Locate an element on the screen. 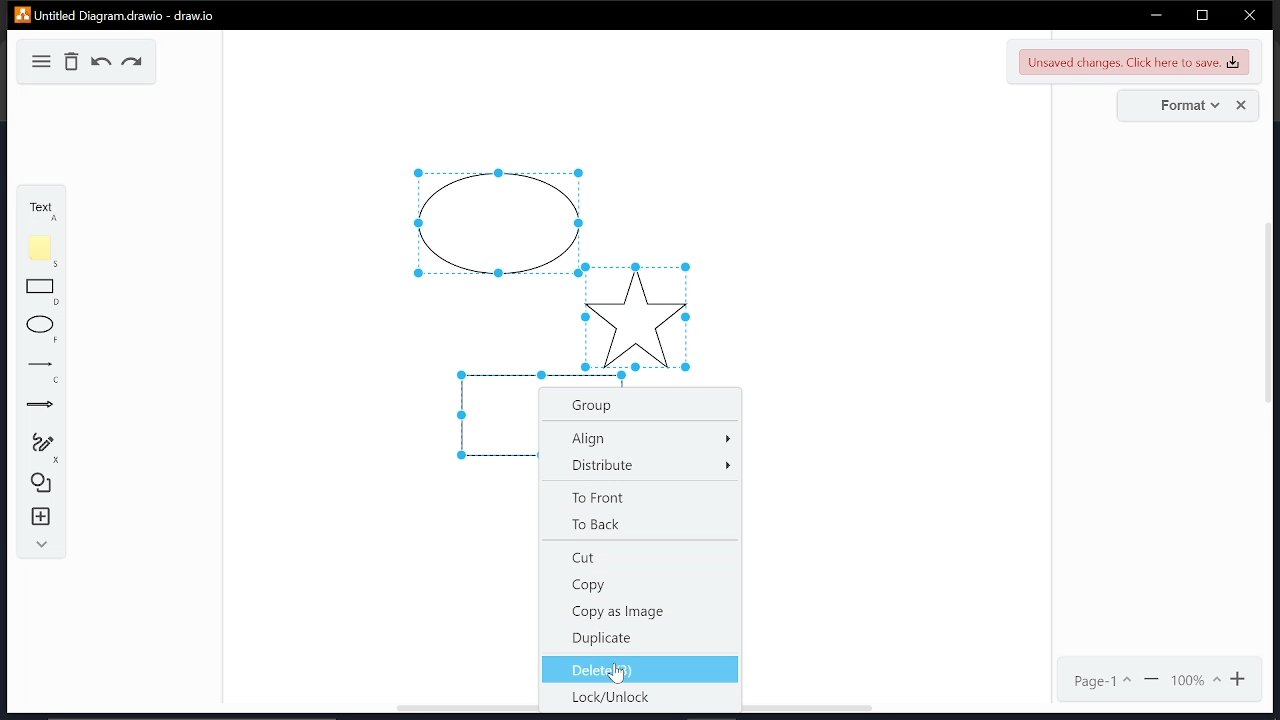 This screenshot has height=720, width=1280. align is located at coordinates (643, 437).